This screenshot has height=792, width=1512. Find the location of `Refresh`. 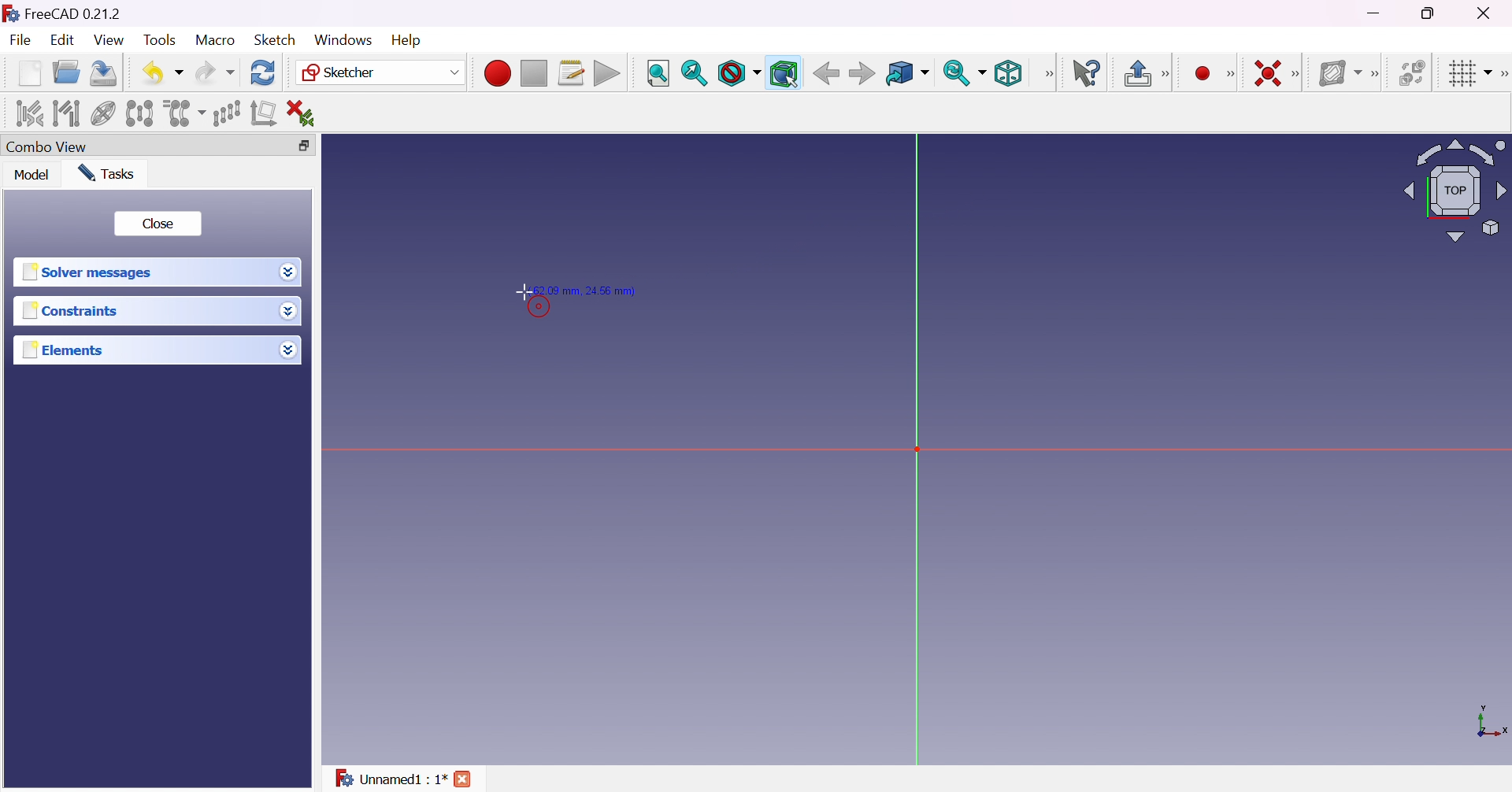

Refresh is located at coordinates (263, 72).